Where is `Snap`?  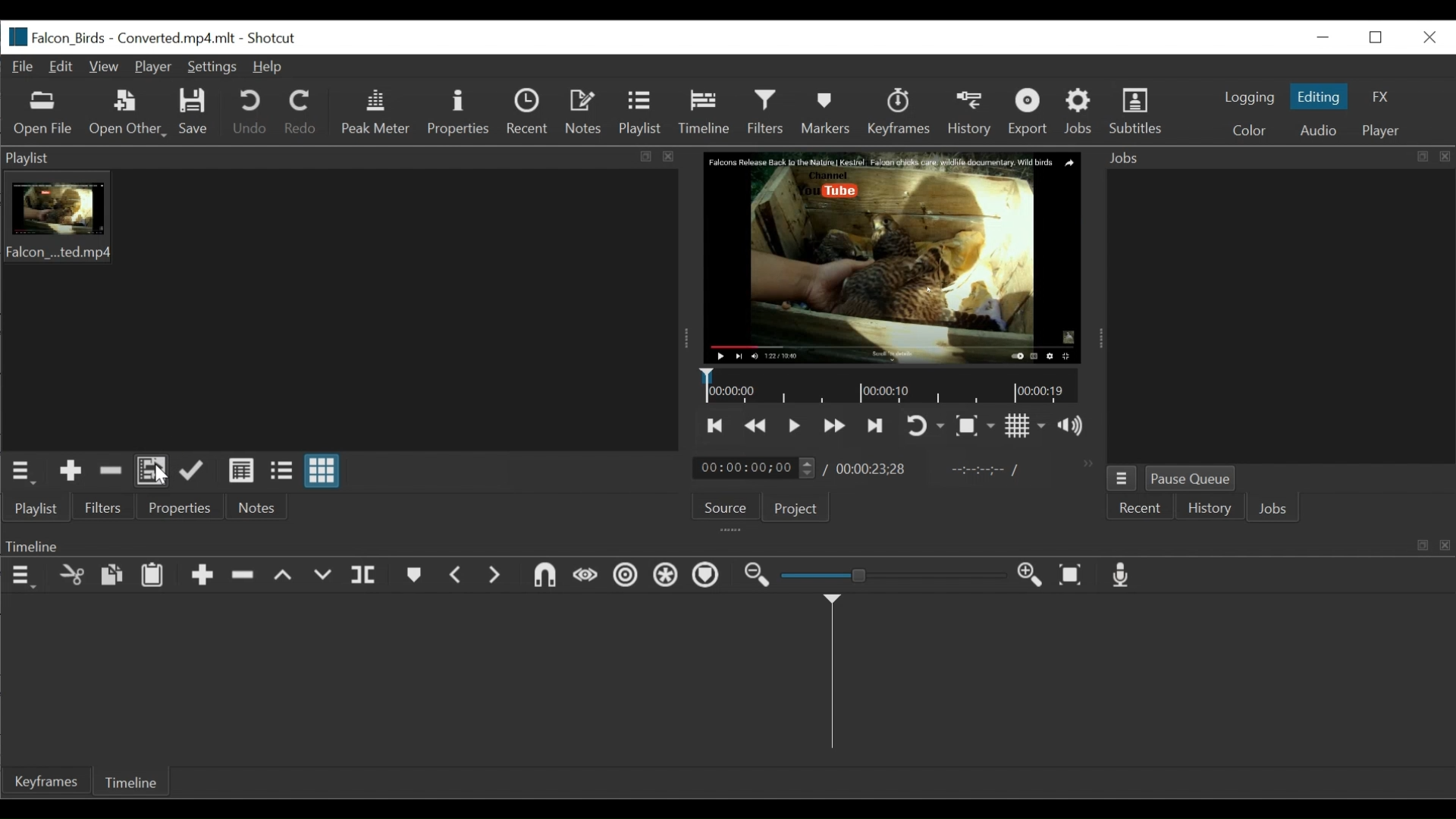
Snap is located at coordinates (547, 576).